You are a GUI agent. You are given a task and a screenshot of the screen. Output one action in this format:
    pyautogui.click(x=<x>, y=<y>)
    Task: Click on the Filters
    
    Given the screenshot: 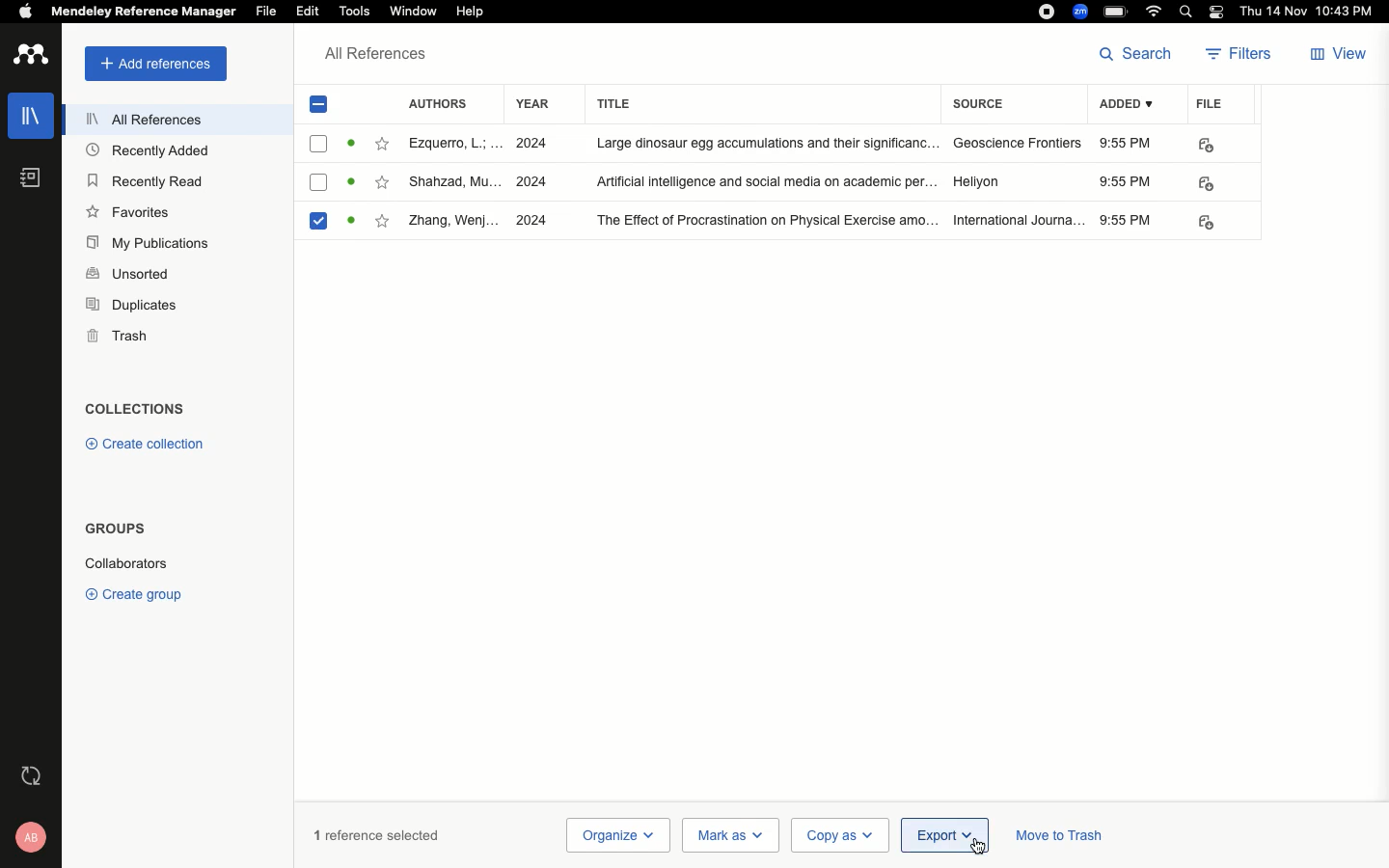 What is the action you would take?
    pyautogui.click(x=1240, y=56)
    